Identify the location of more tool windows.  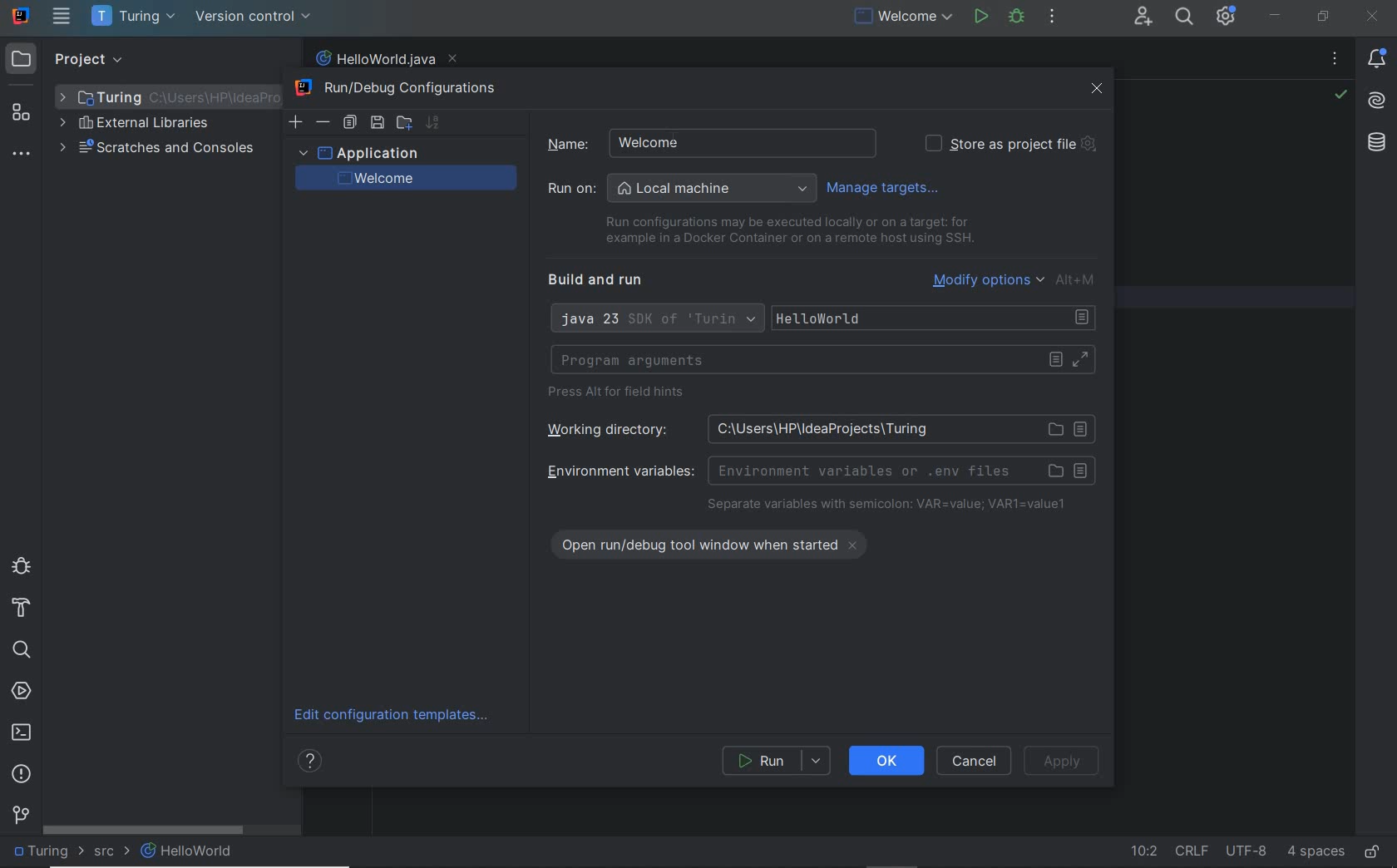
(20, 155).